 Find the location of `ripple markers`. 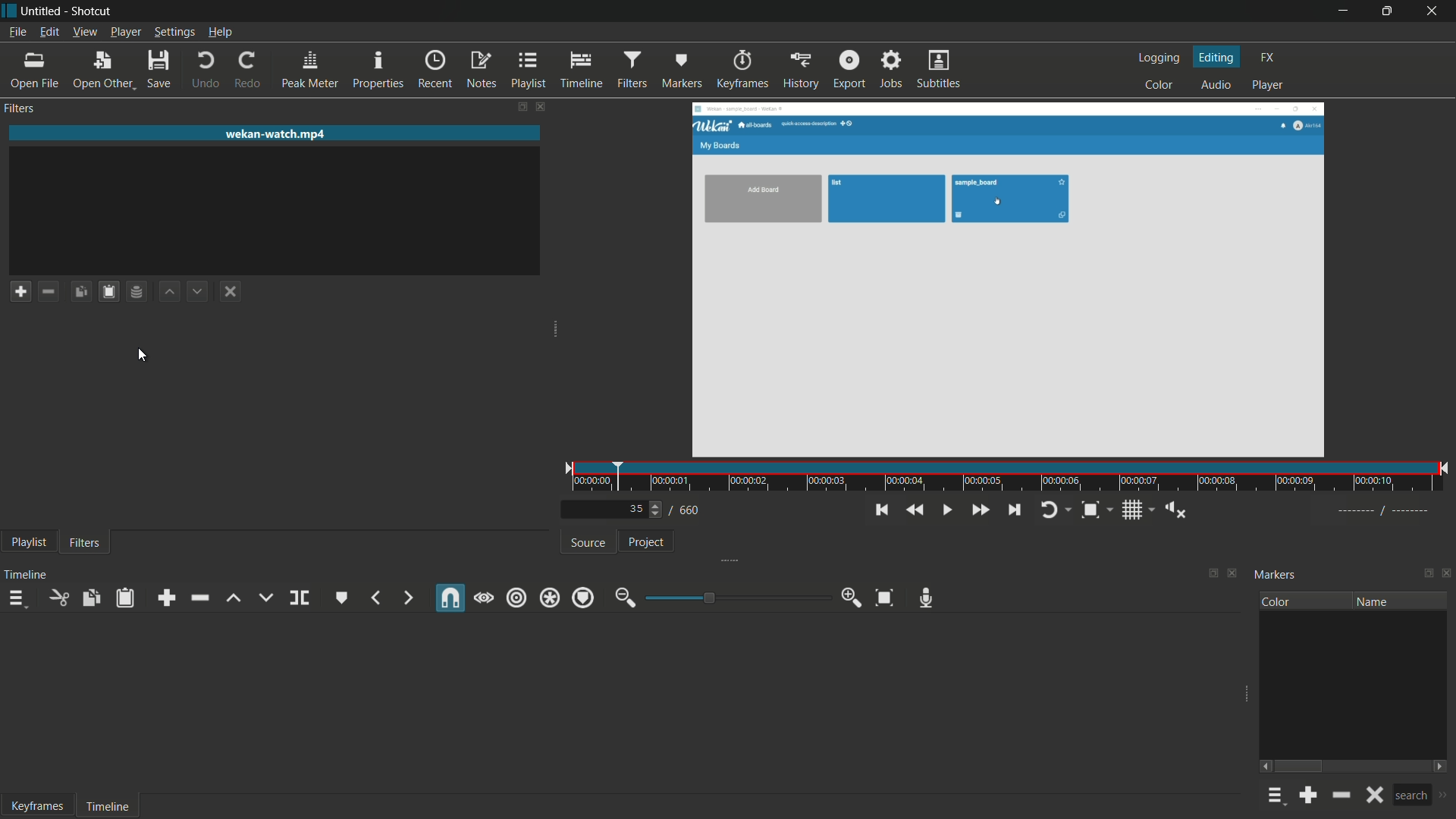

ripple markers is located at coordinates (584, 598).